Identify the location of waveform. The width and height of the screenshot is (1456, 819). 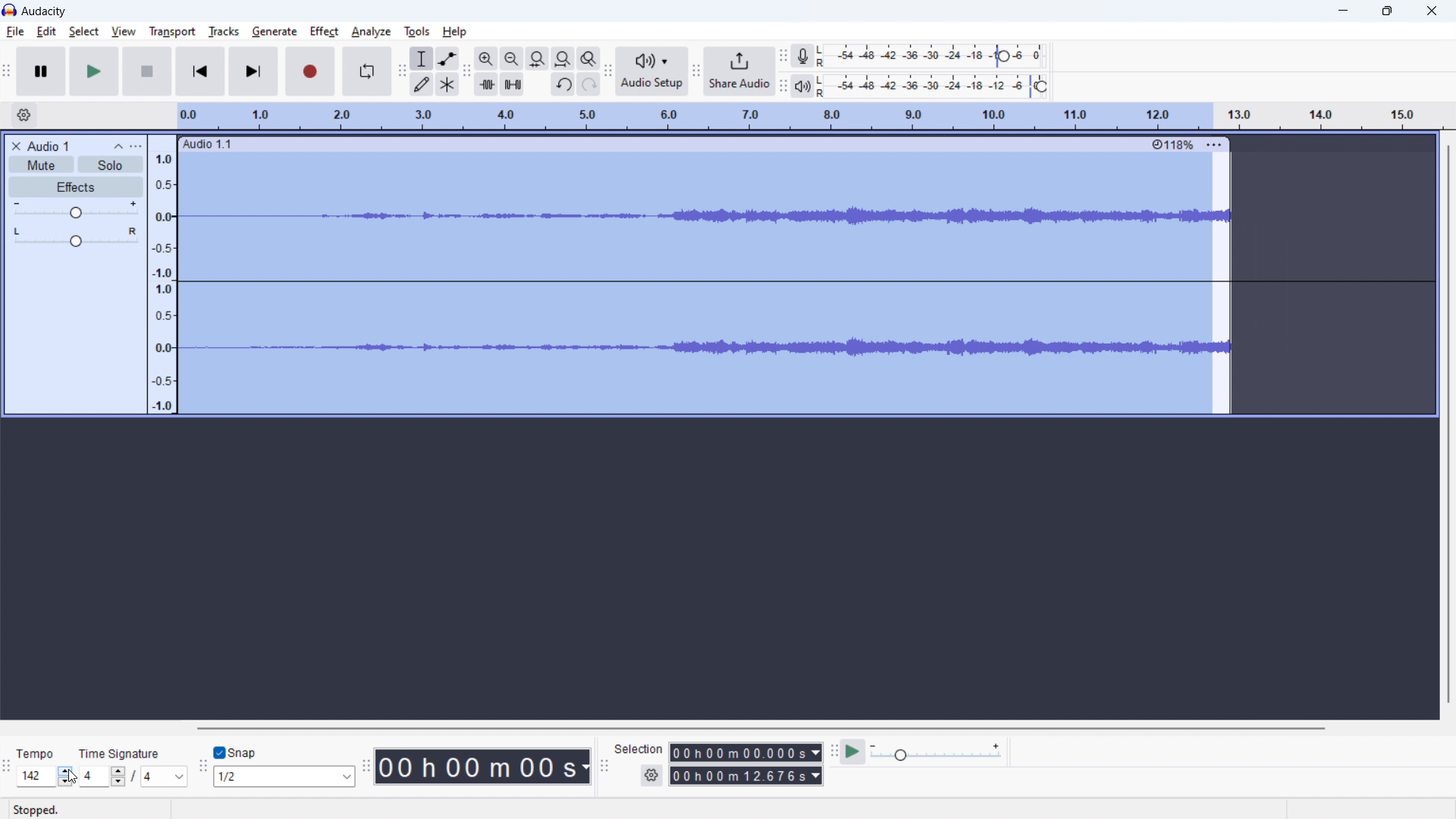
(803, 216).